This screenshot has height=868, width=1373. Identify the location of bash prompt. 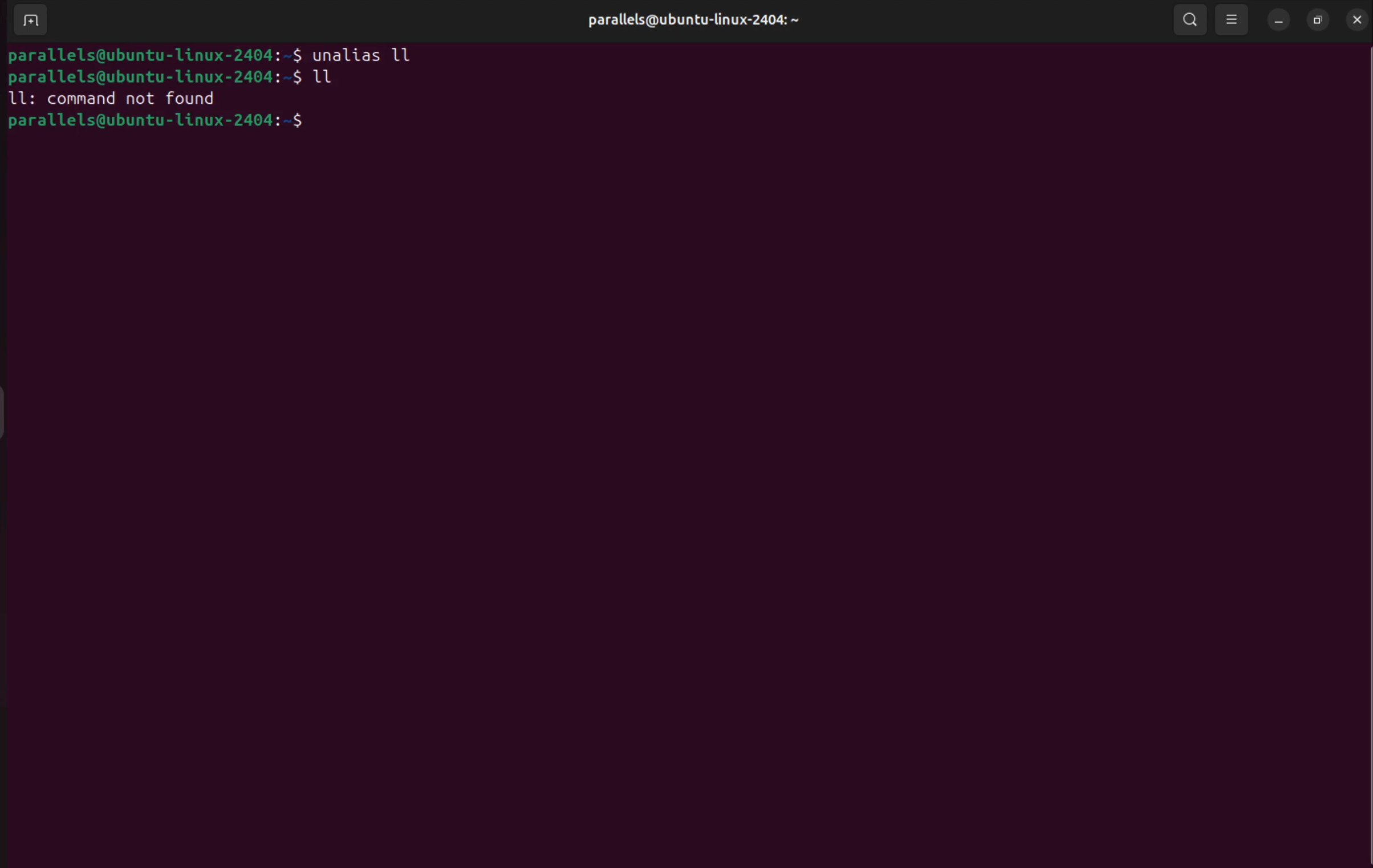
(154, 76).